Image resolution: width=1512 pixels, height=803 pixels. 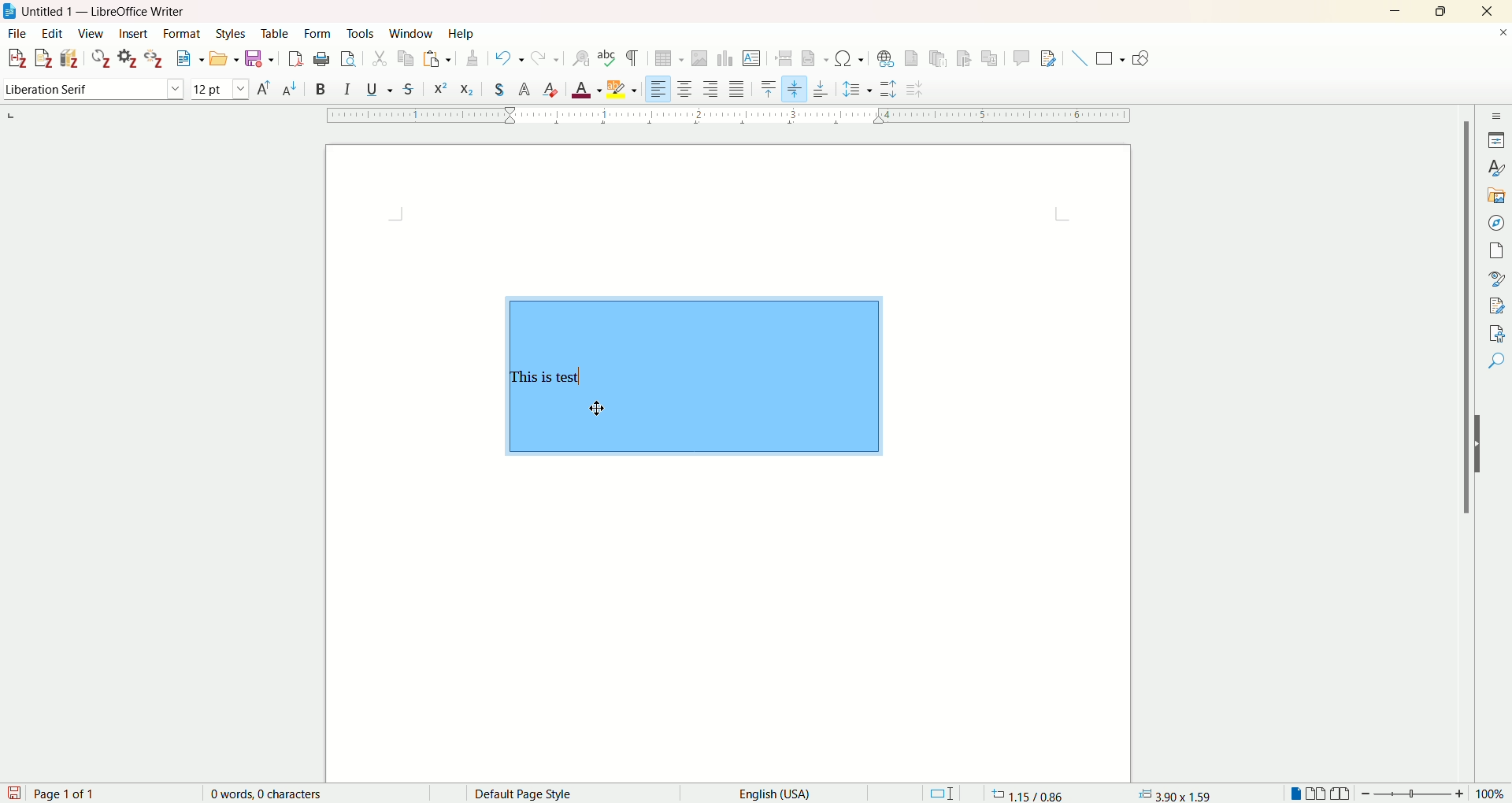 What do you see at coordinates (1110, 58) in the screenshot?
I see `basic shapes` at bounding box center [1110, 58].